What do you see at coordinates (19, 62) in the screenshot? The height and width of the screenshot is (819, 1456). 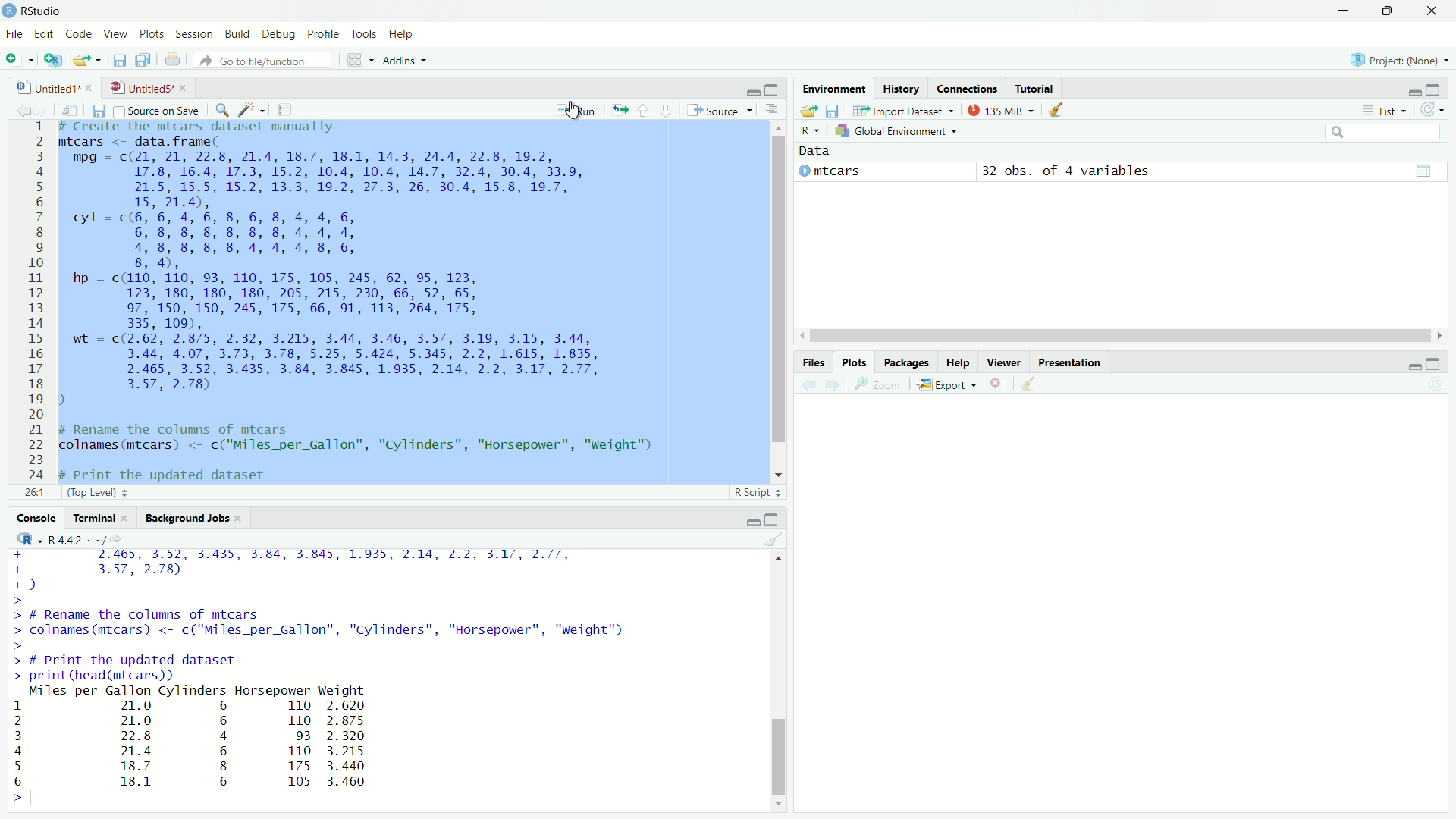 I see `add` at bounding box center [19, 62].